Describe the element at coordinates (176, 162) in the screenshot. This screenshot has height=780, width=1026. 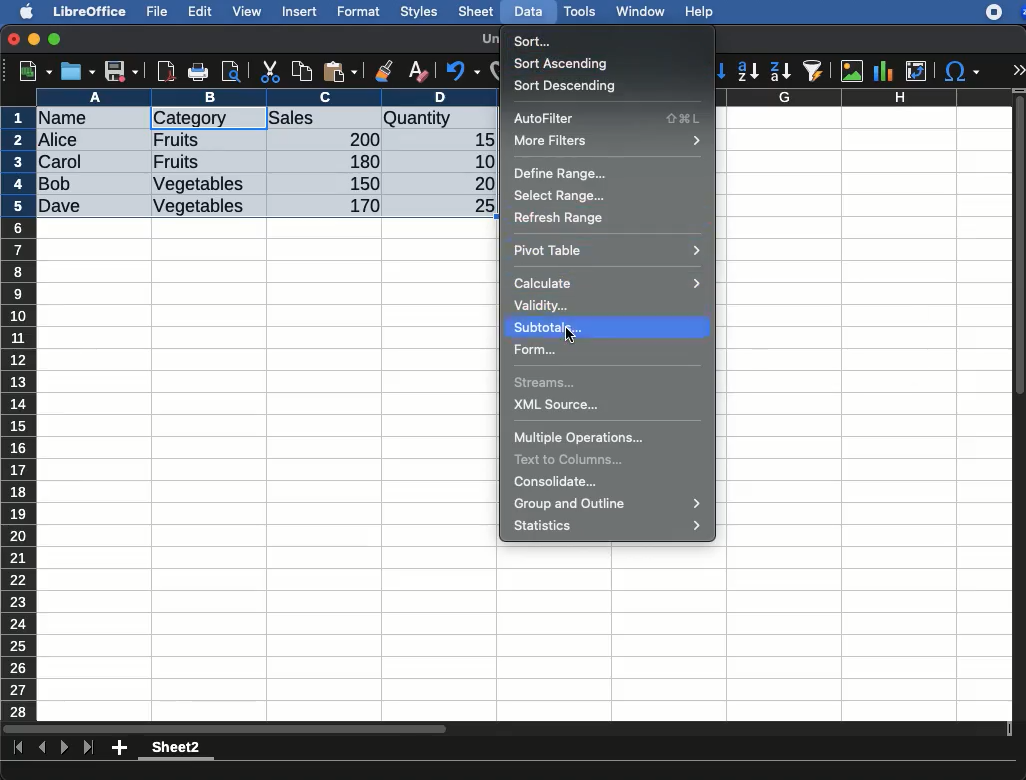
I see `Fruits` at that location.